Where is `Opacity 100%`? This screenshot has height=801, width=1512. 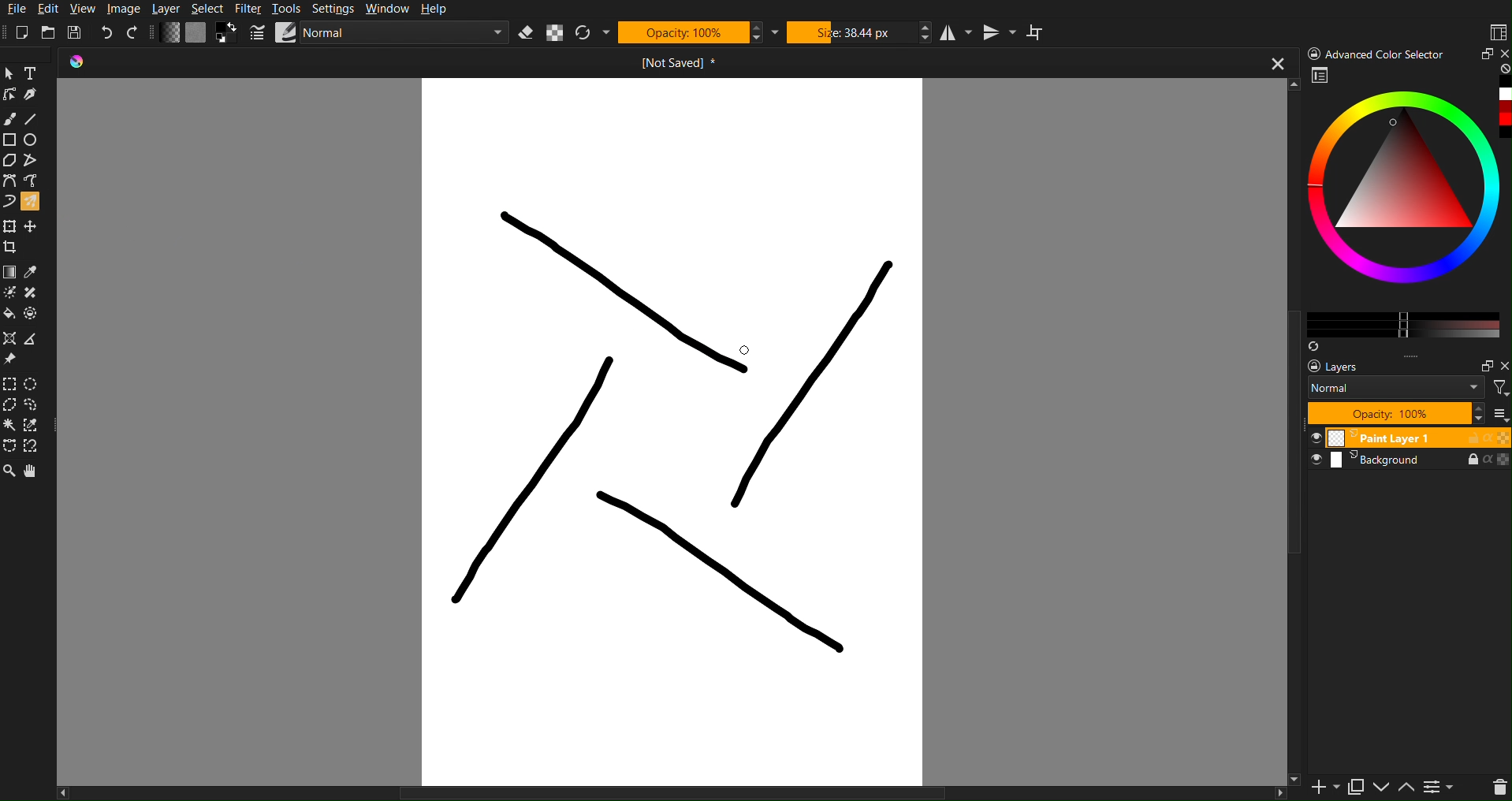
Opacity 100% is located at coordinates (1395, 413).